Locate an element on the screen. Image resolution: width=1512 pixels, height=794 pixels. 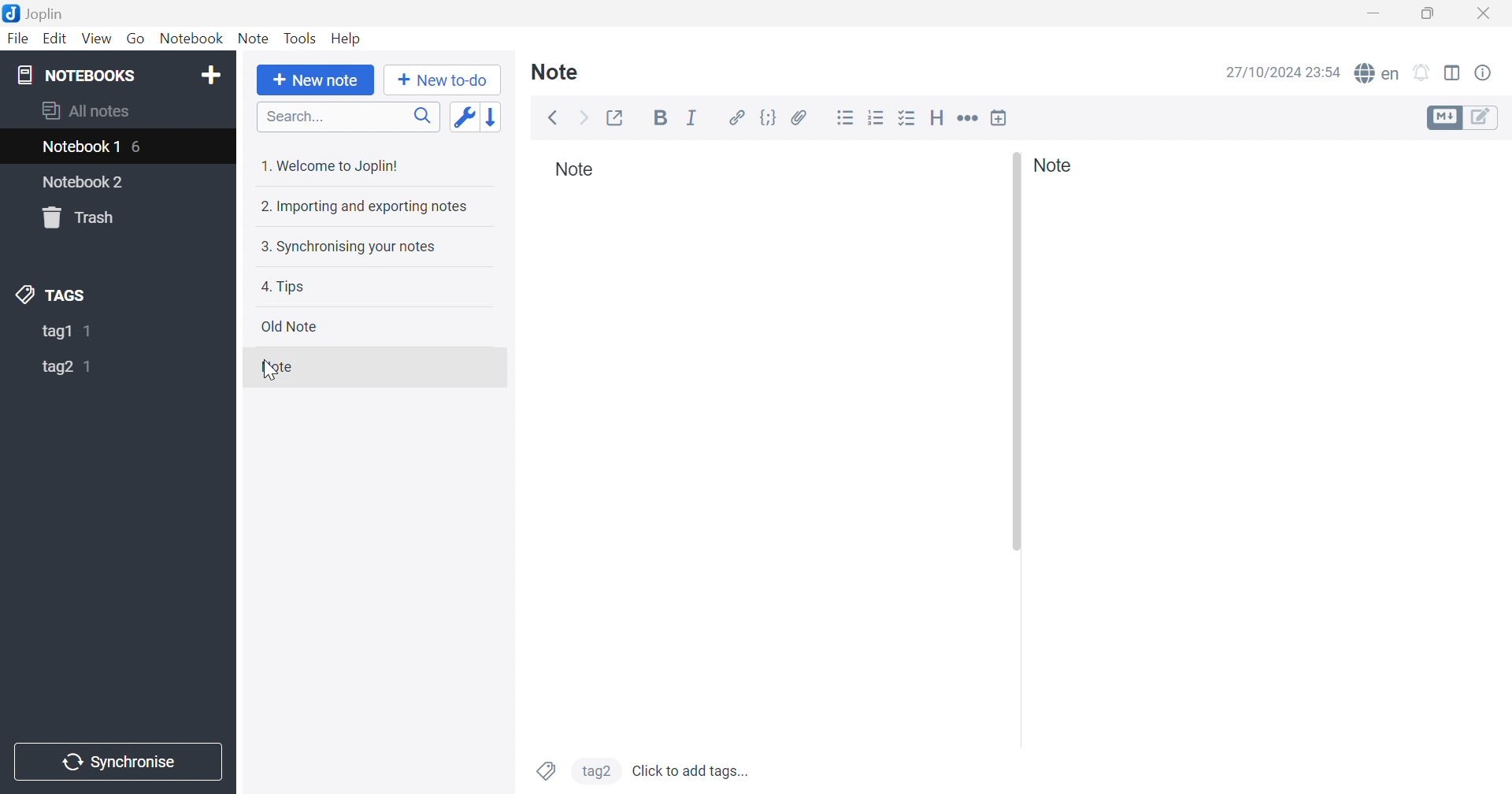
Back is located at coordinates (552, 118).